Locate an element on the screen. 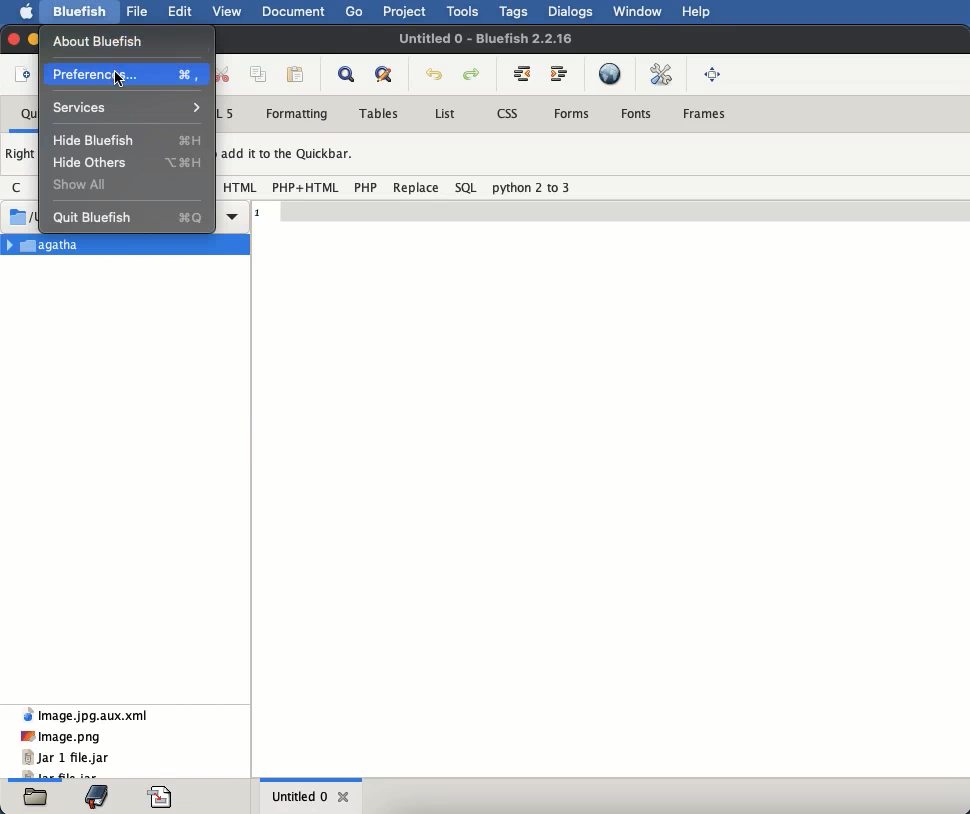 This screenshot has height=814, width=970. apple logo is located at coordinates (27, 12).